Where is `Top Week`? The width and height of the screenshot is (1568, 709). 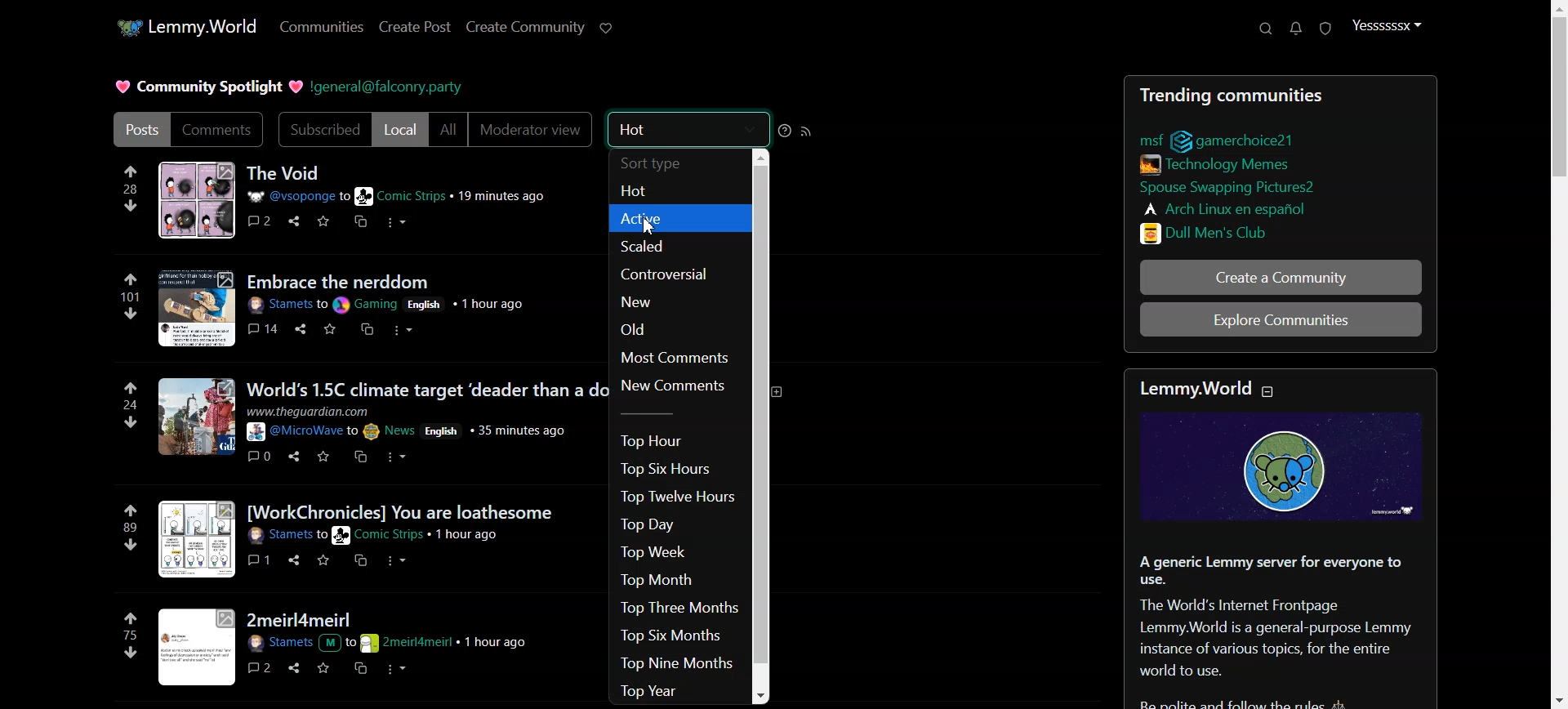 Top Week is located at coordinates (673, 551).